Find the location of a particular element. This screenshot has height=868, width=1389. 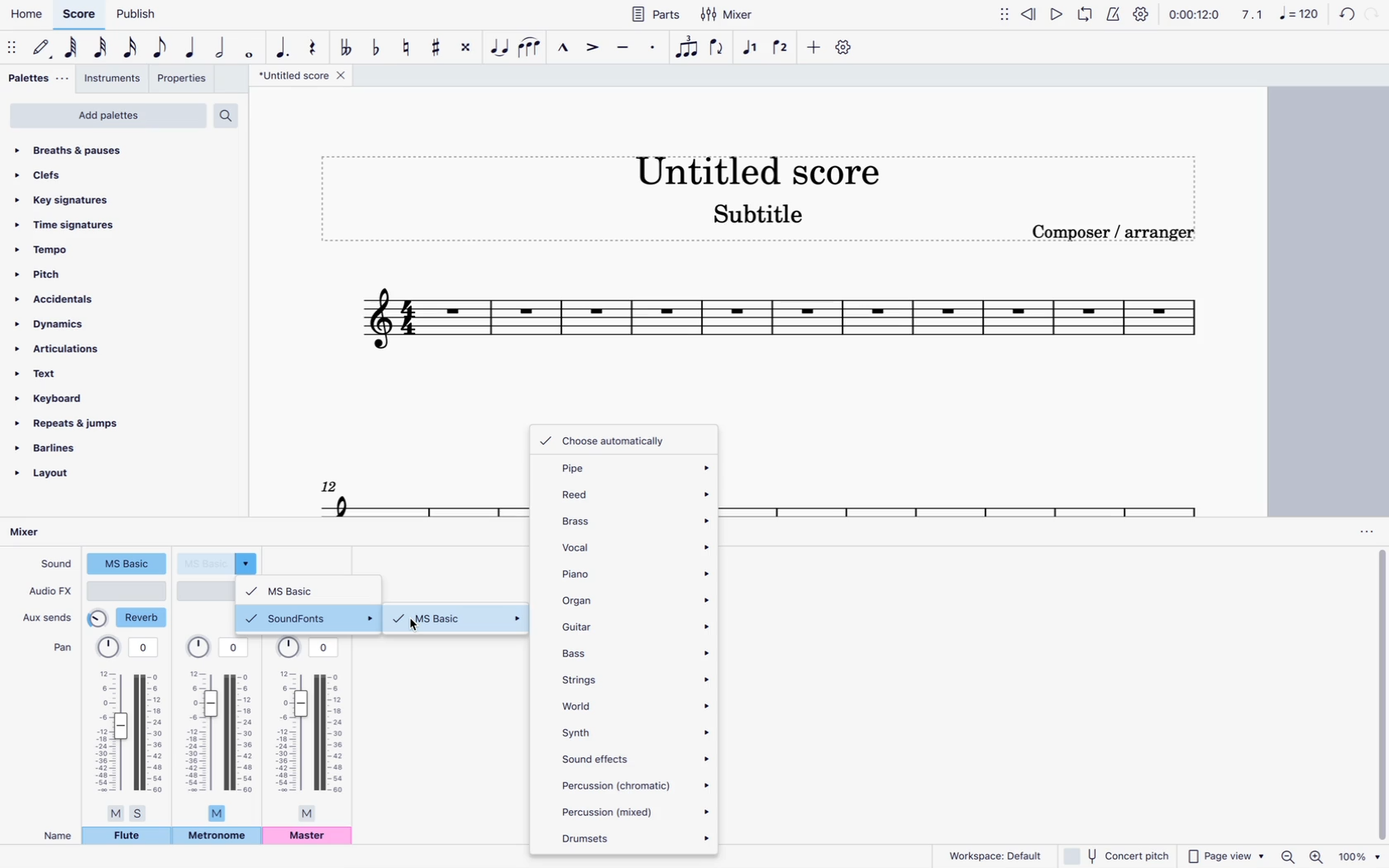

play is located at coordinates (1056, 14).